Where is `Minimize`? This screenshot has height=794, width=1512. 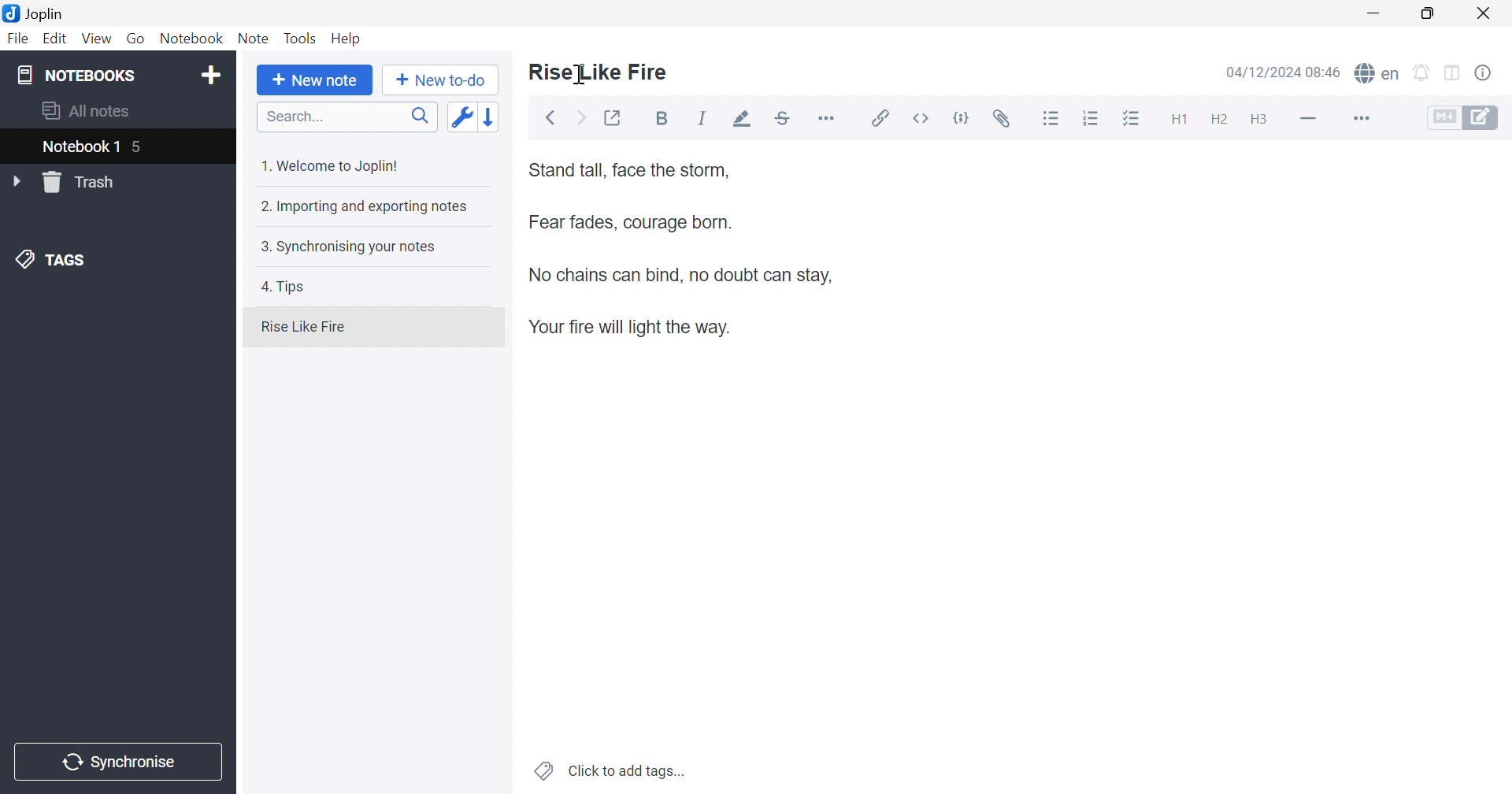
Minimize is located at coordinates (1377, 13).